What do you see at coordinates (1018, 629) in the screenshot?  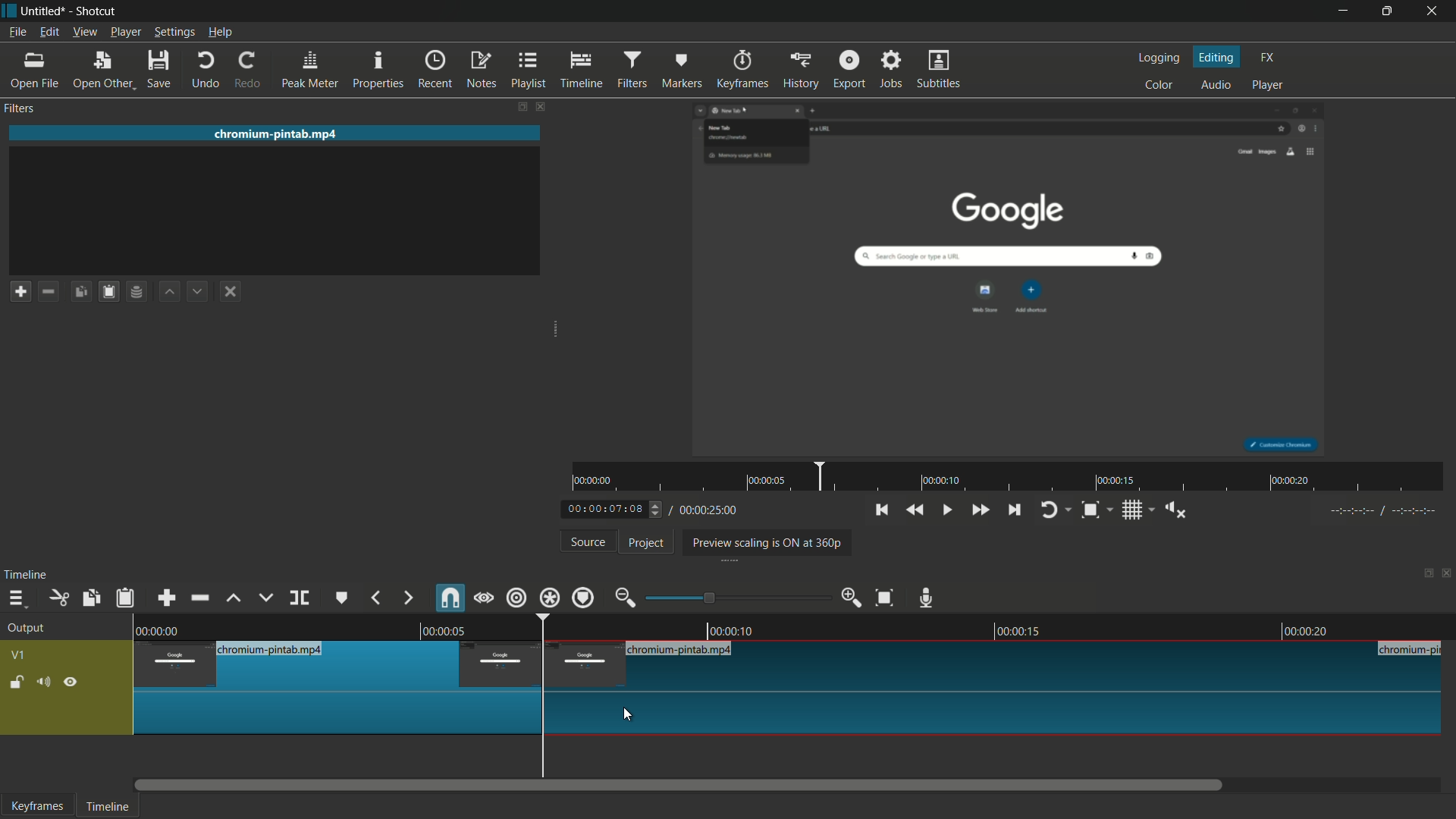 I see `0.00.015` at bounding box center [1018, 629].